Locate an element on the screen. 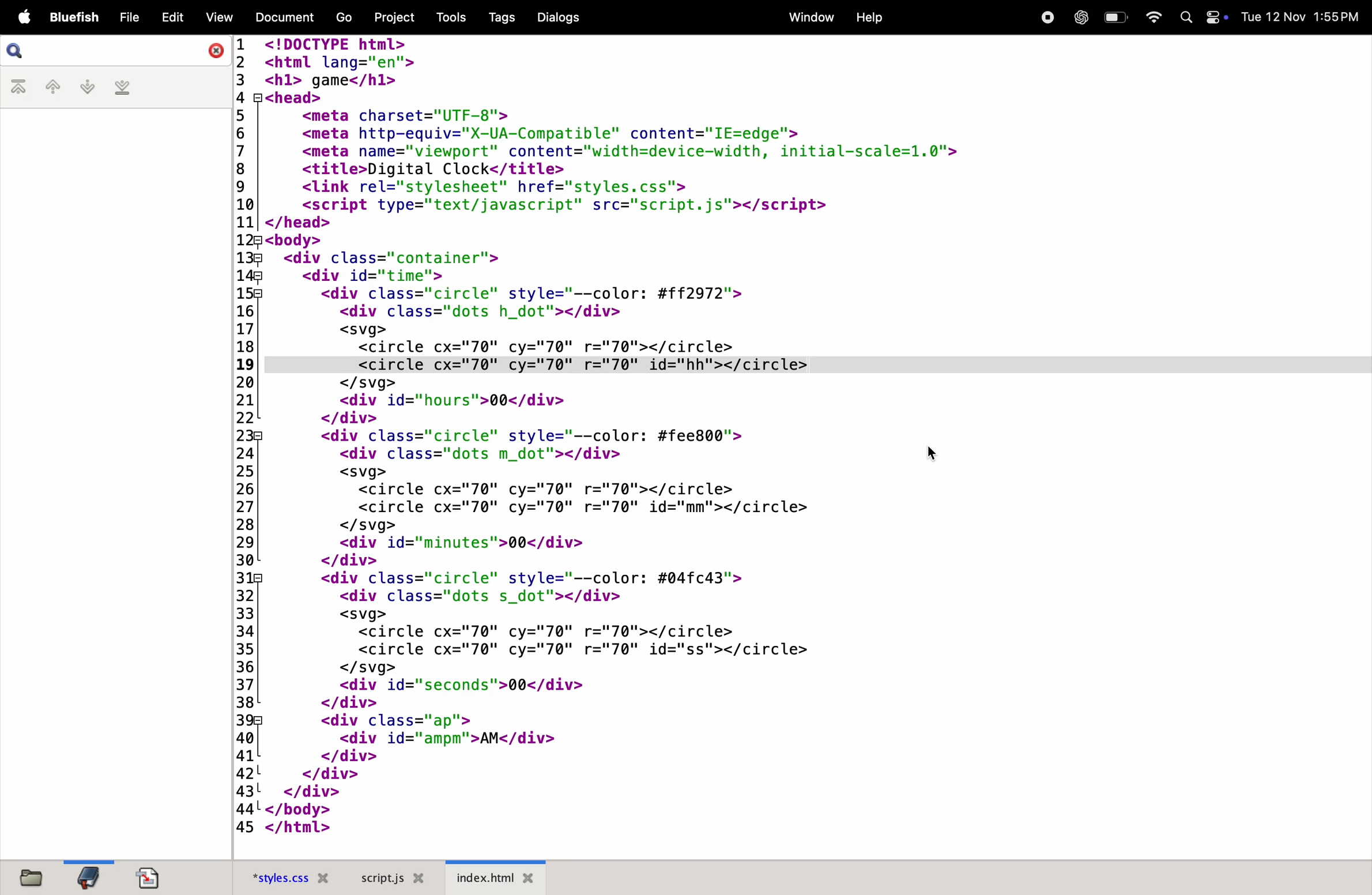  last book mark is located at coordinates (125, 87).